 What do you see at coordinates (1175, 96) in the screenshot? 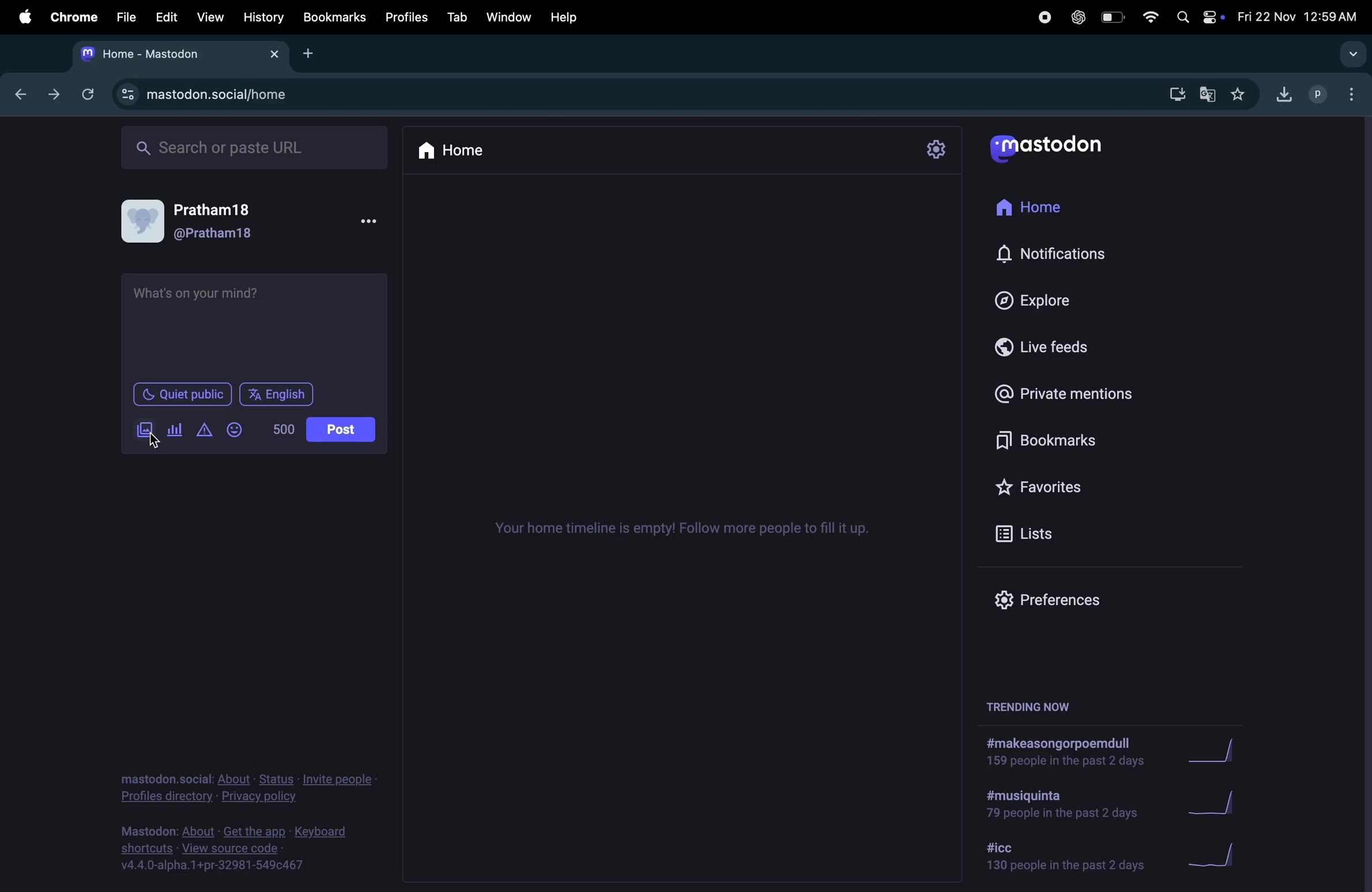
I see `downloads` at bounding box center [1175, 96].